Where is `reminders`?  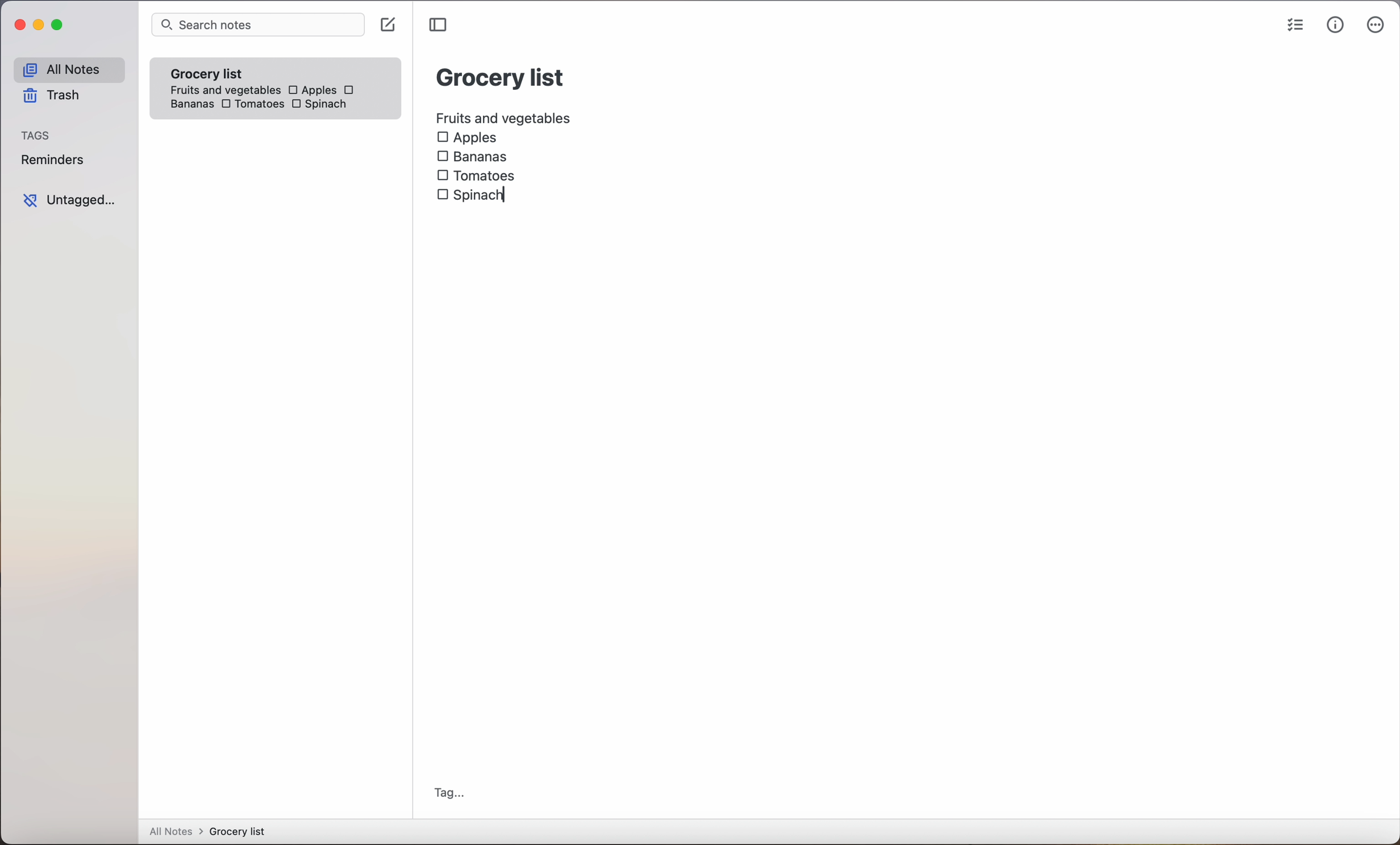
reminders is located at coordinates (52, 162).